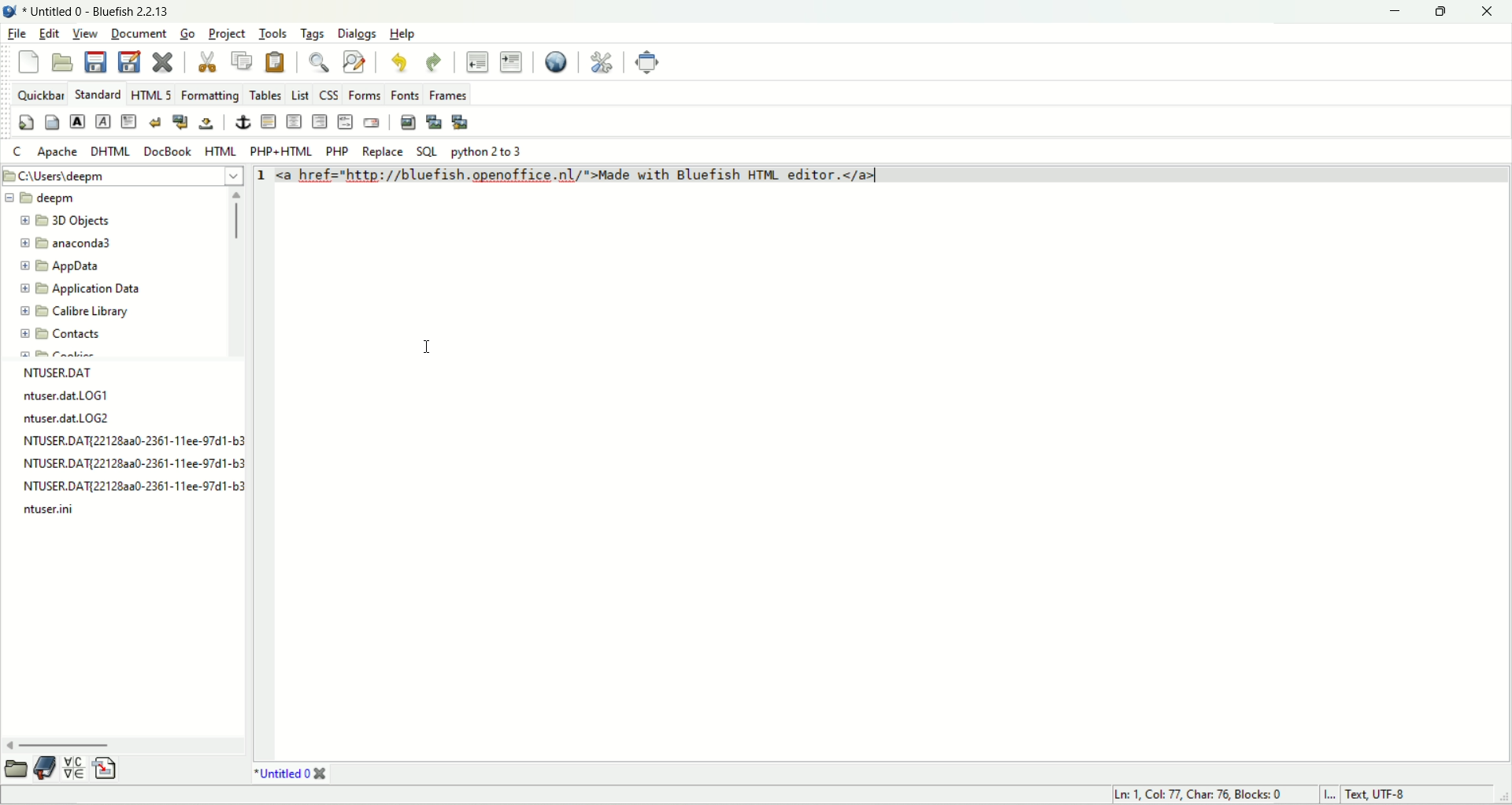 This screenshot has height=805, width=1512. Describe the element at coordinates (20, 152) in the screenshot. I see `C` at that location.